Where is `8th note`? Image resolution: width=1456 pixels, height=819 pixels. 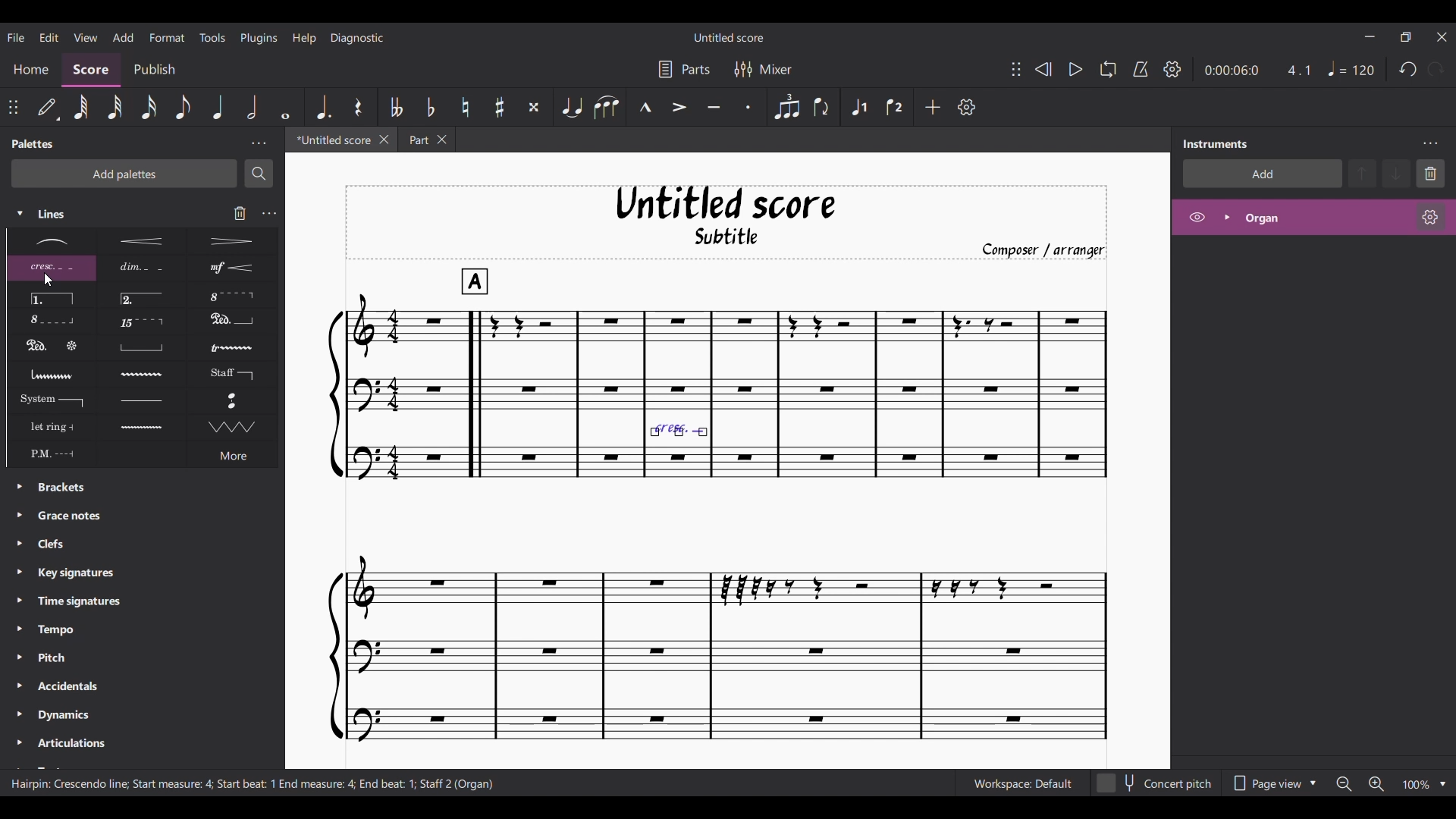 8th note is located at coordinates (182, 107).